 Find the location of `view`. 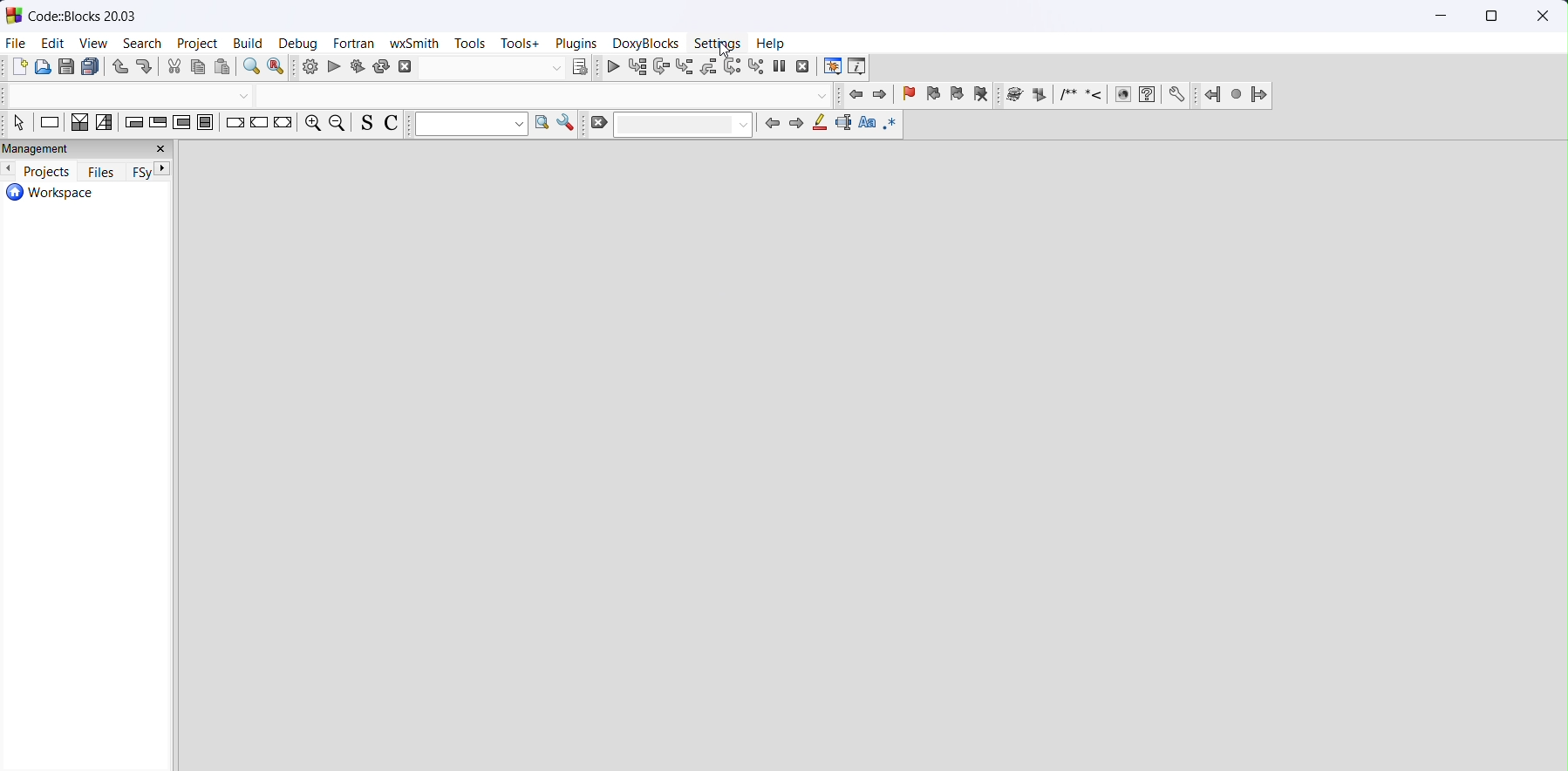

view is located at coordinates (98, 44).